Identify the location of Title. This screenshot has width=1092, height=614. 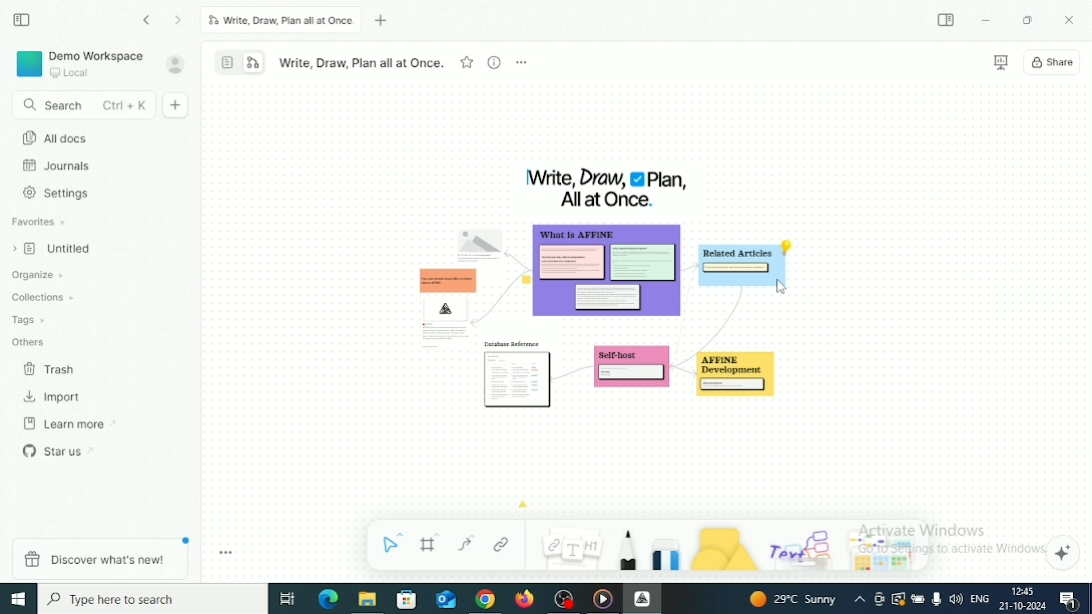
(606, 188).